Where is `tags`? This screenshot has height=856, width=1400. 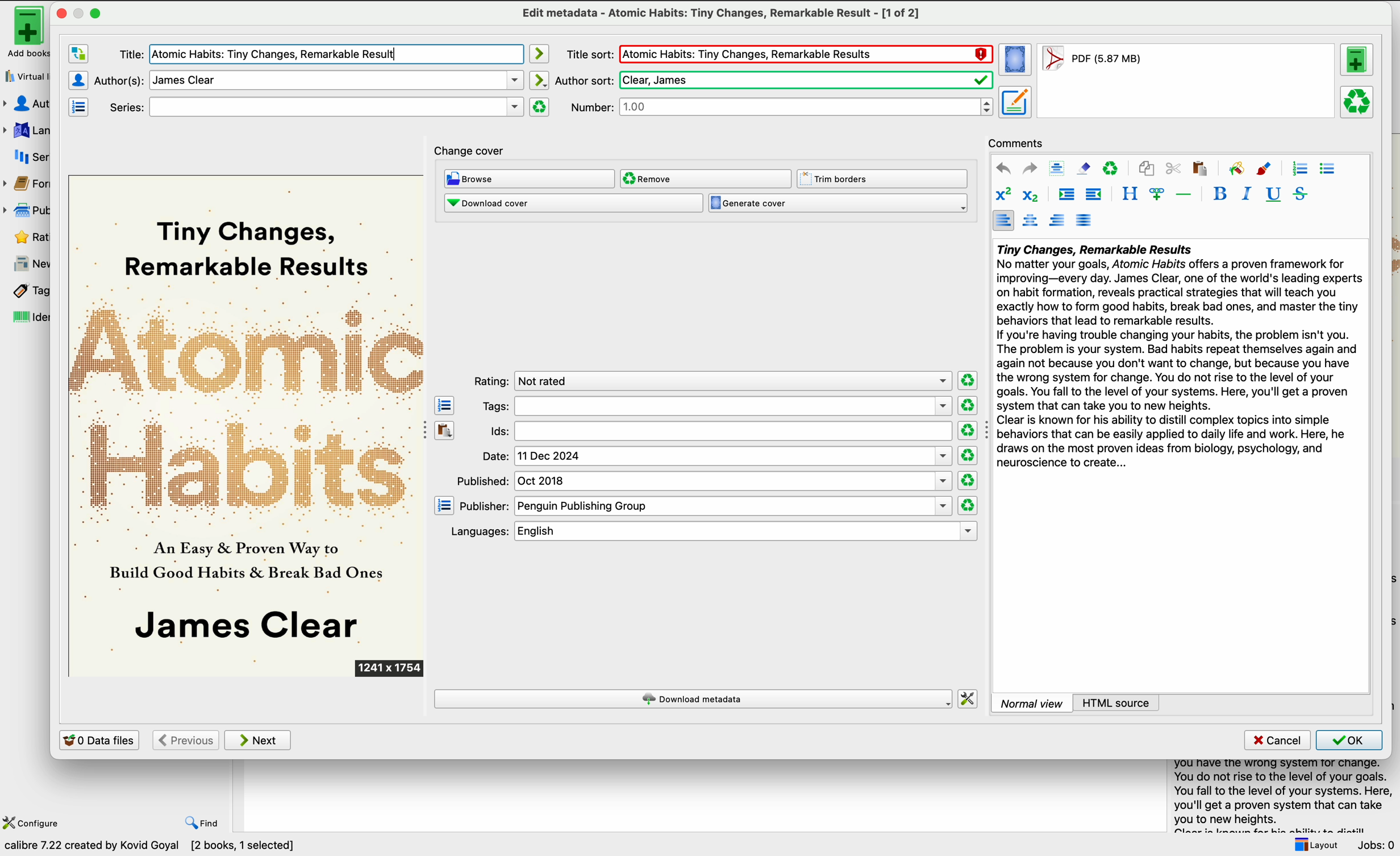
tags is located at coordinates (24, 291).